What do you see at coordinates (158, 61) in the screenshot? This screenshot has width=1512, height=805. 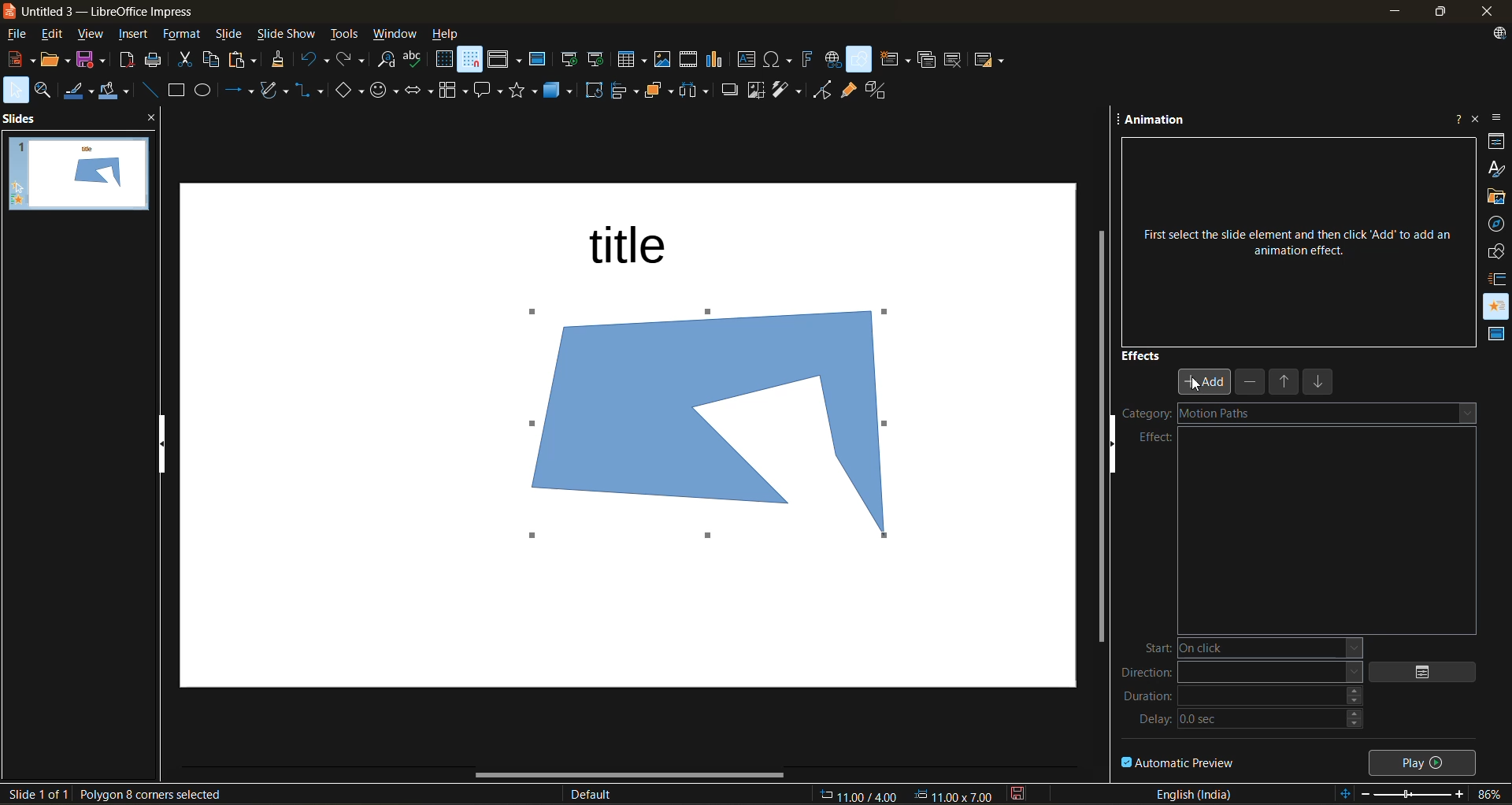 I see `print` at bounding box center [158, 61].